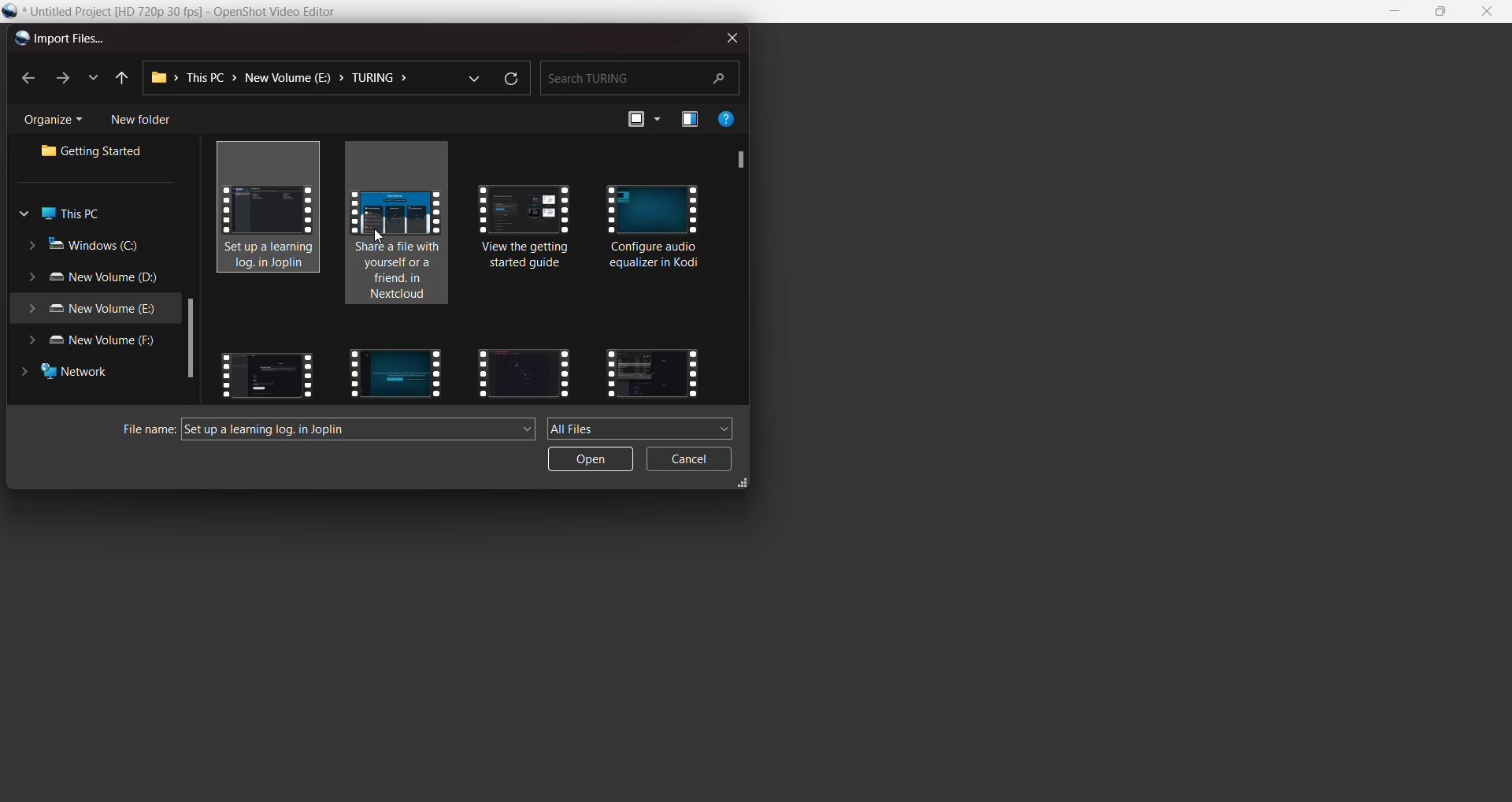 This screenshot has width=1512, height=802. I want to click on getting started, so click(97, 153).